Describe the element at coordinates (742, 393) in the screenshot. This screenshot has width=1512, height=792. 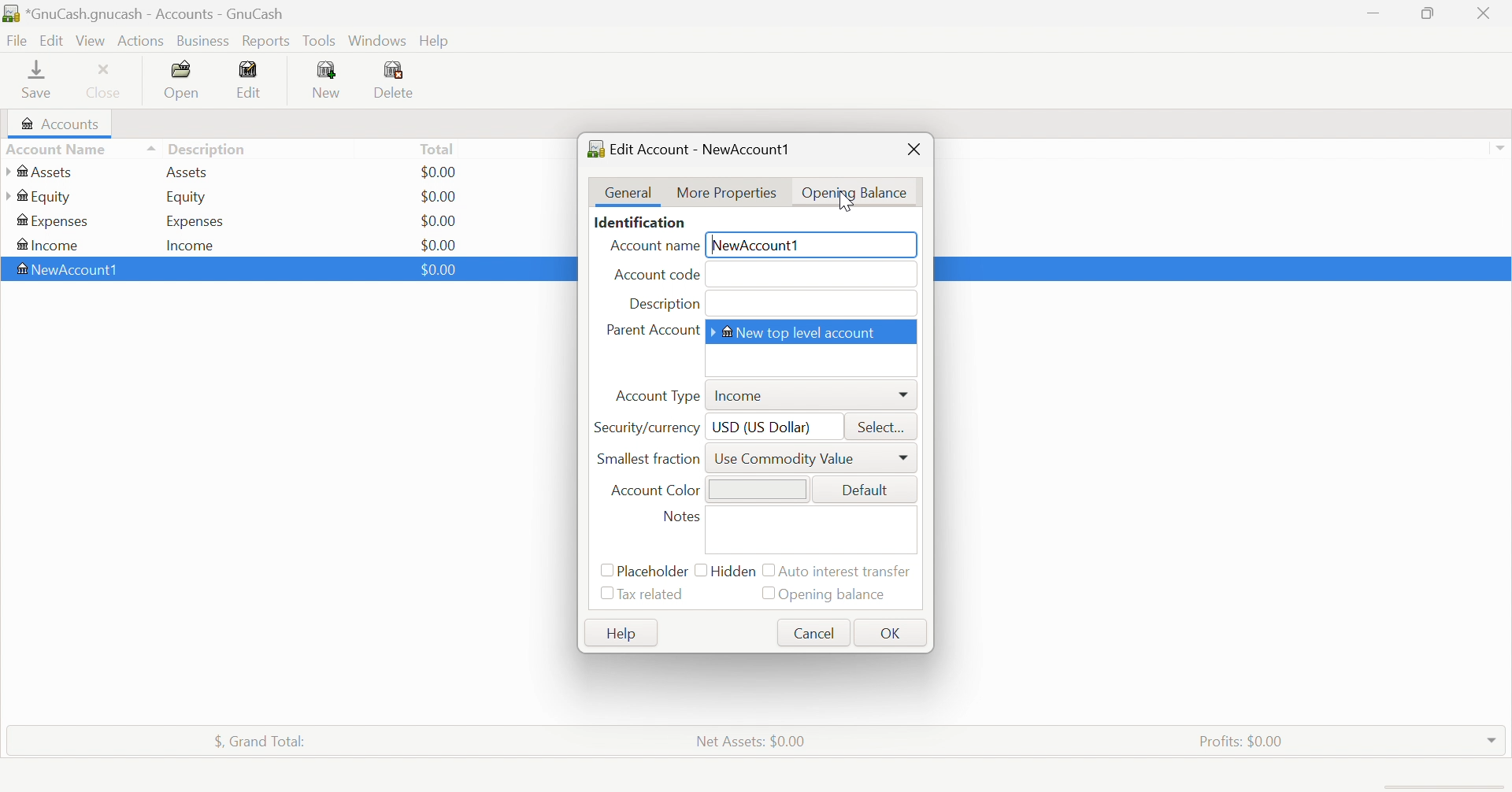
I see `Income` at that location.